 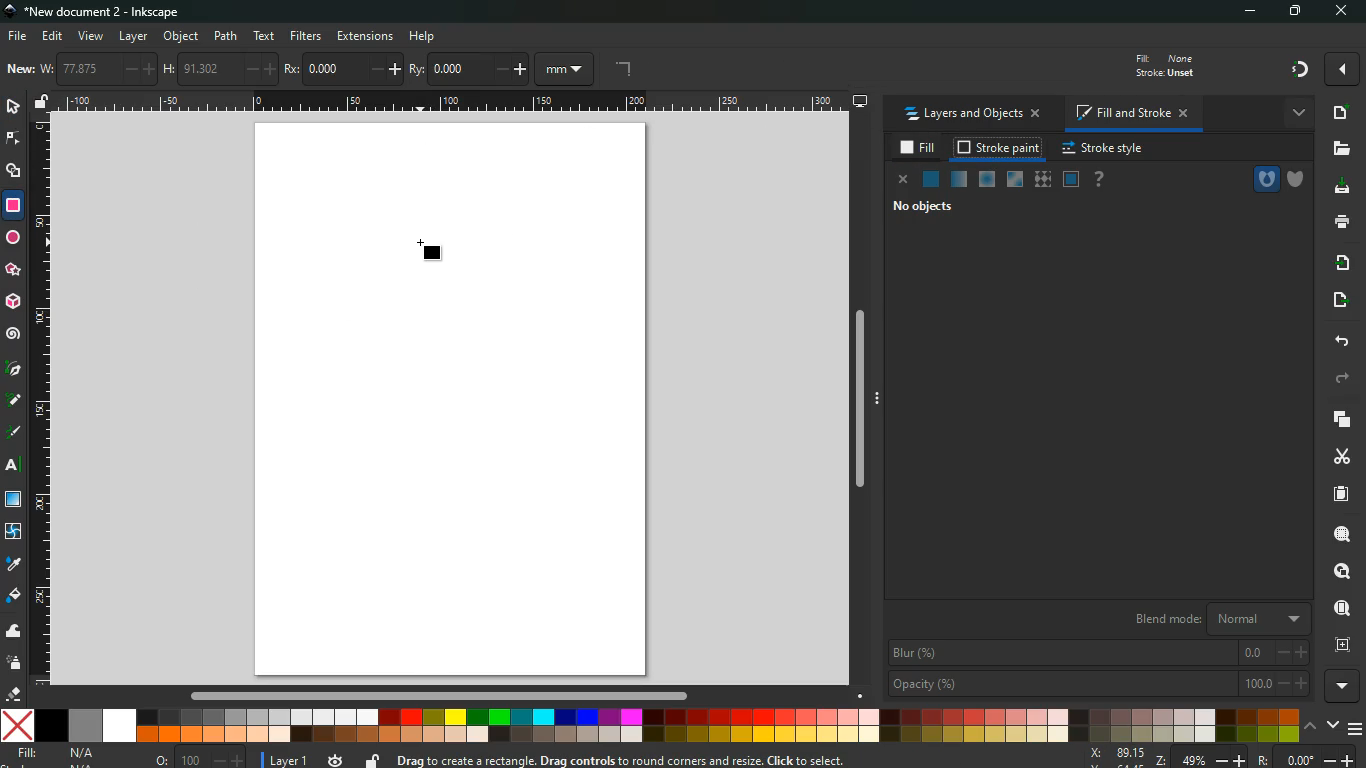 I want to click on erase, so click(x=14, y=693).